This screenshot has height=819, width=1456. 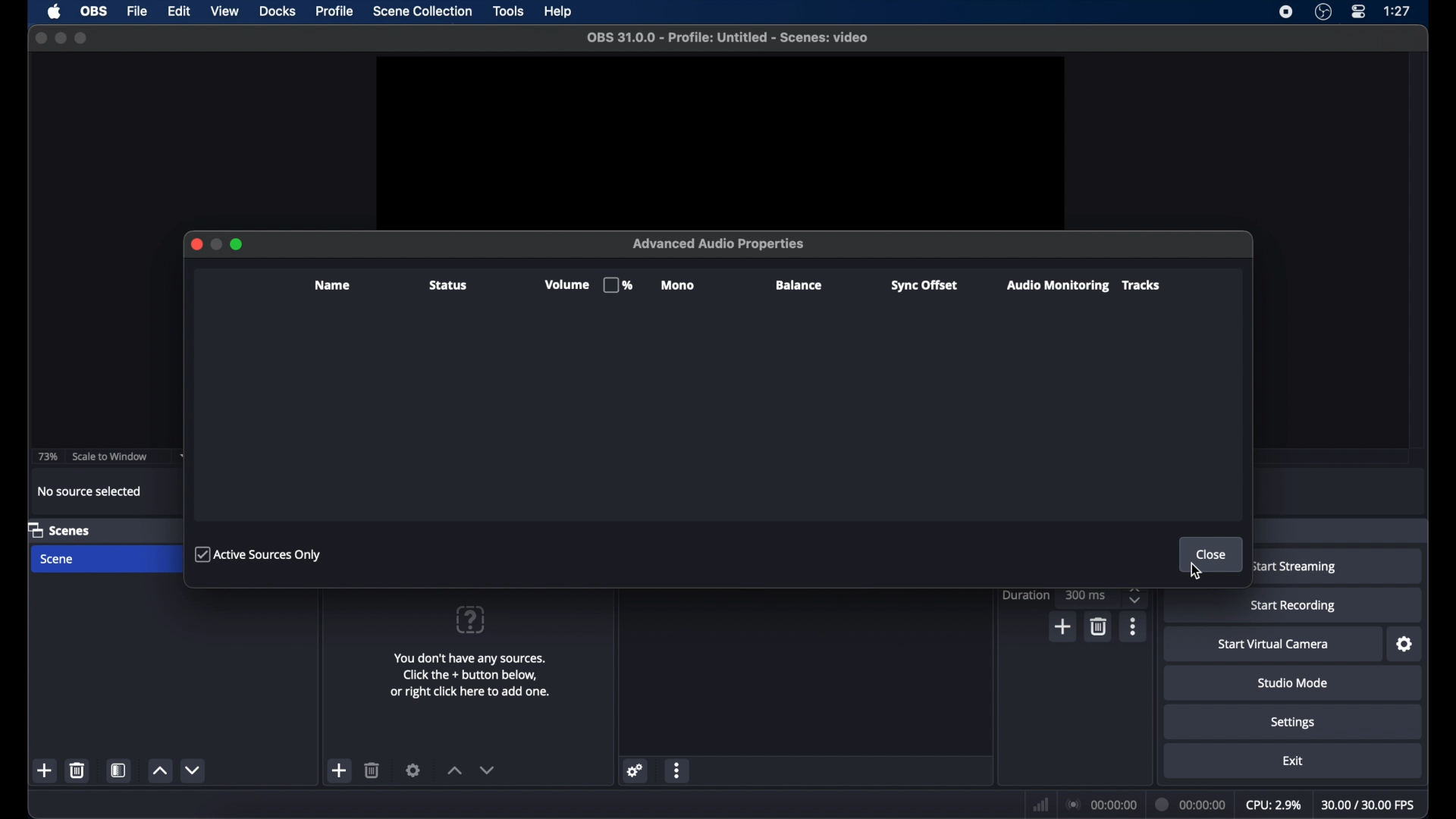 I want to click on sync offset, so click(x=924, y=286).